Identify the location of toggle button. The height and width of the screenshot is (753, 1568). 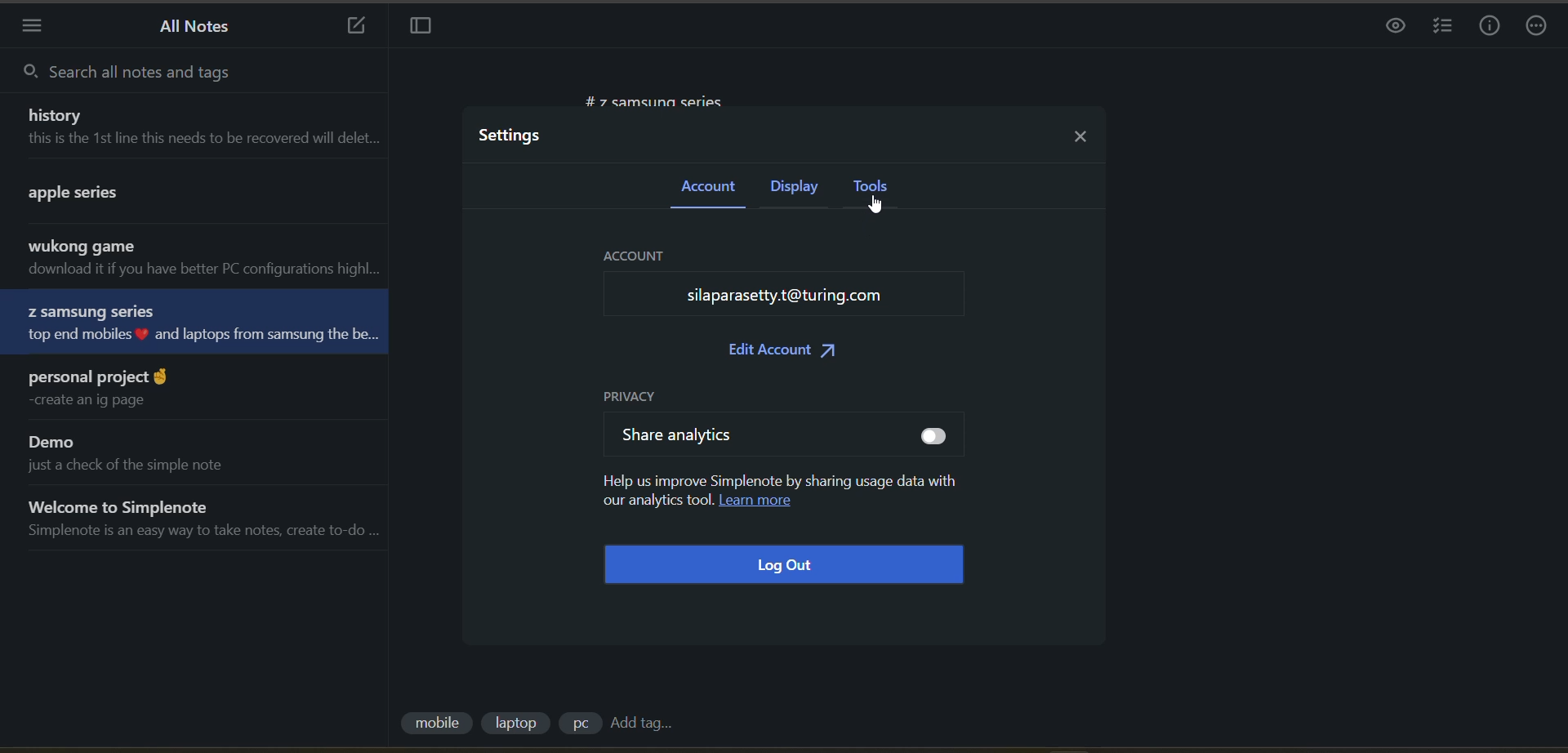
(936, 436).